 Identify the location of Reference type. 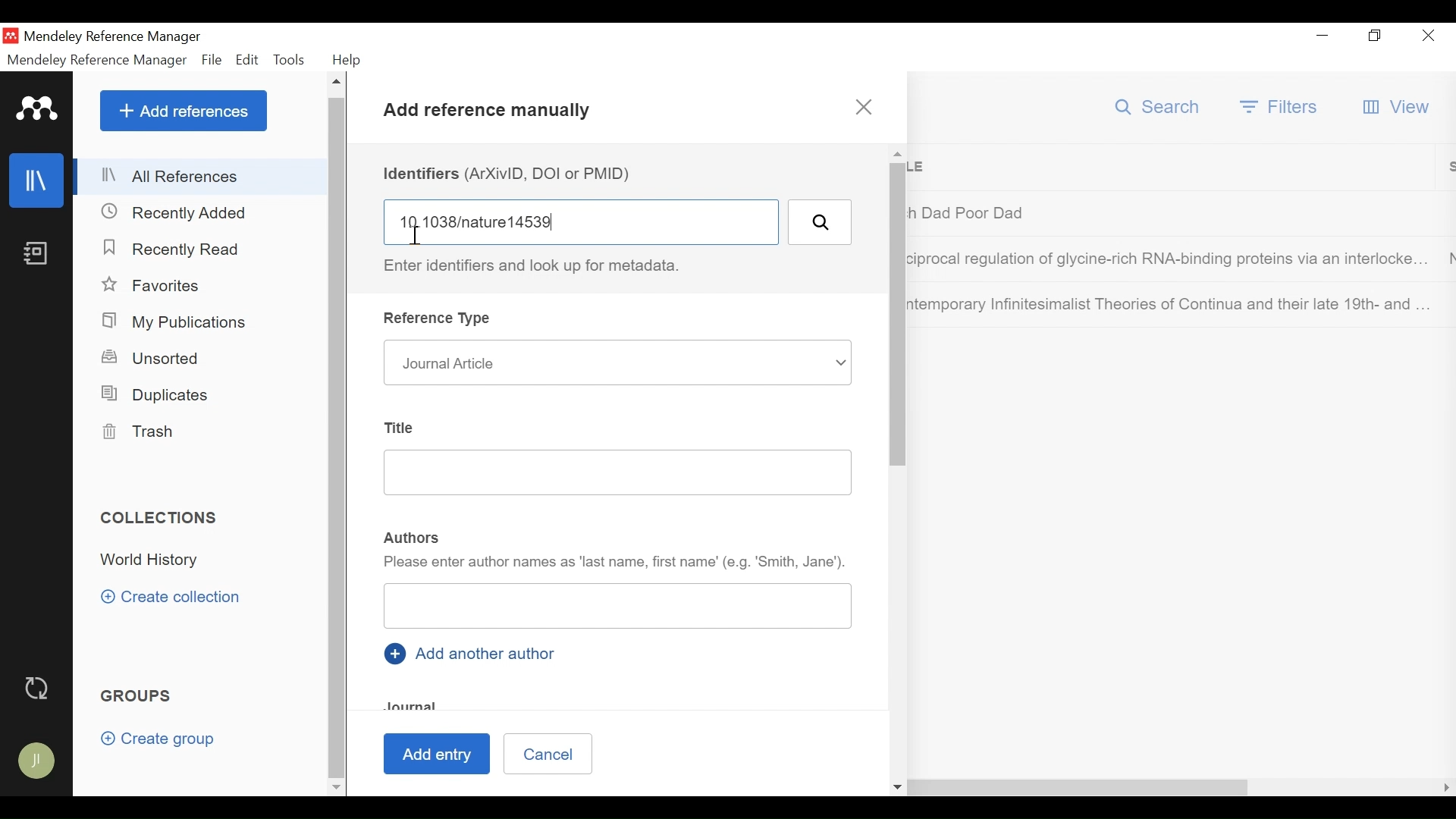
(441, 320).